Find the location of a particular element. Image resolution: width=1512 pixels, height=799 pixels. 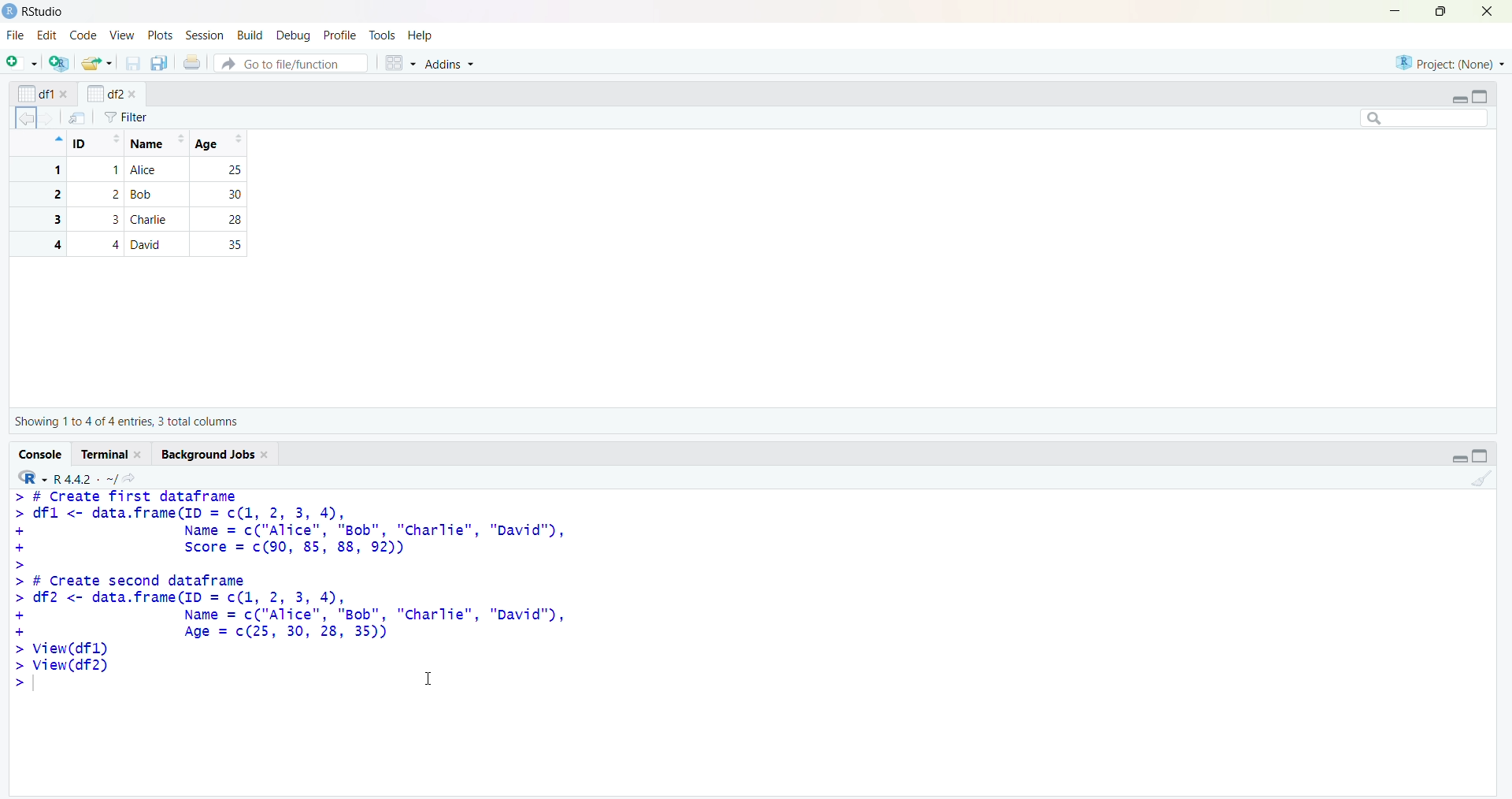

build is located at coordinates (252, 36).